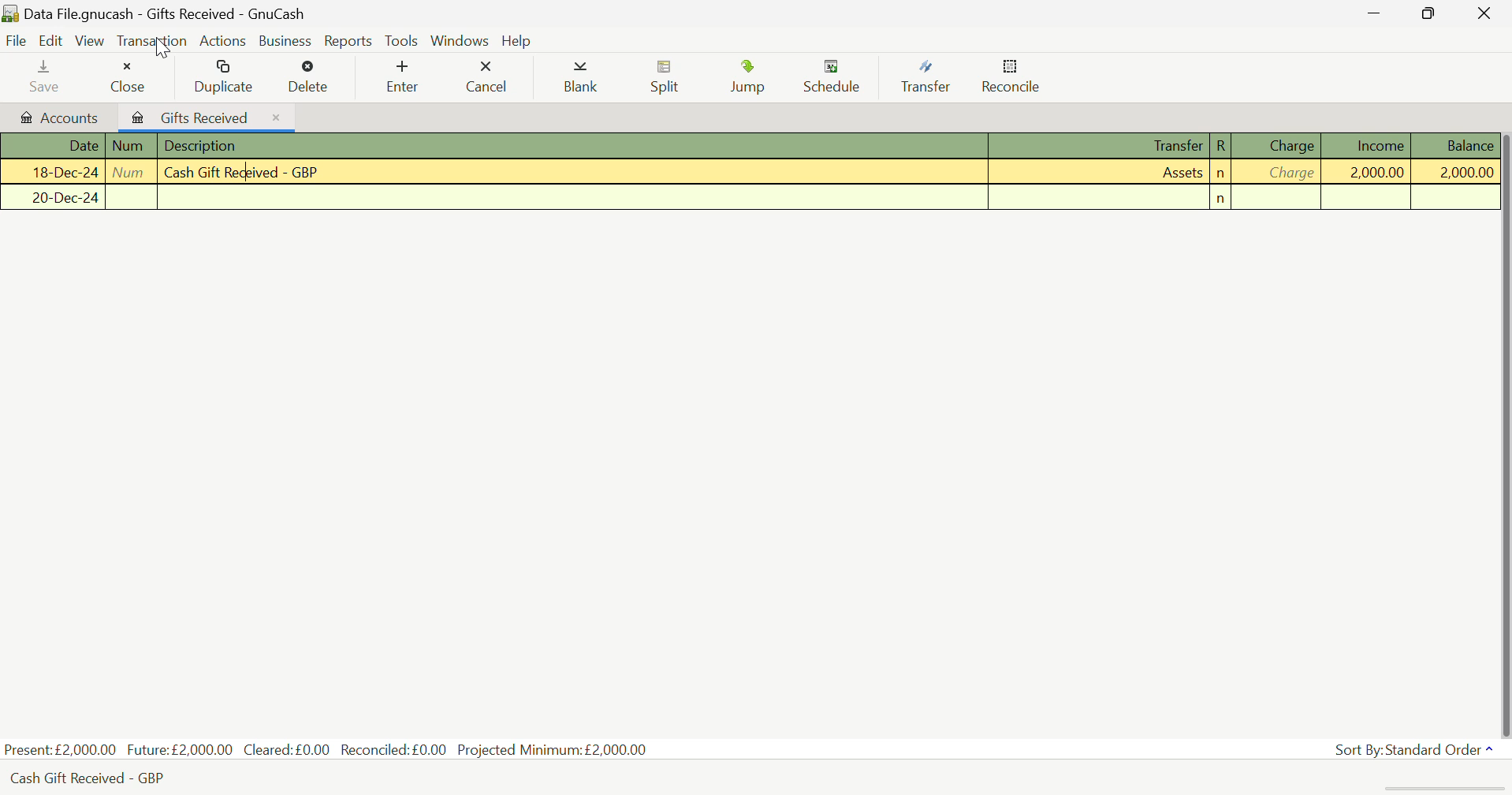 This screenshot has width=1512, height=795. What do you see at coordinates (1101, 174) in the screenshot?
I see `Assets` at bounding box center [1101, 174].